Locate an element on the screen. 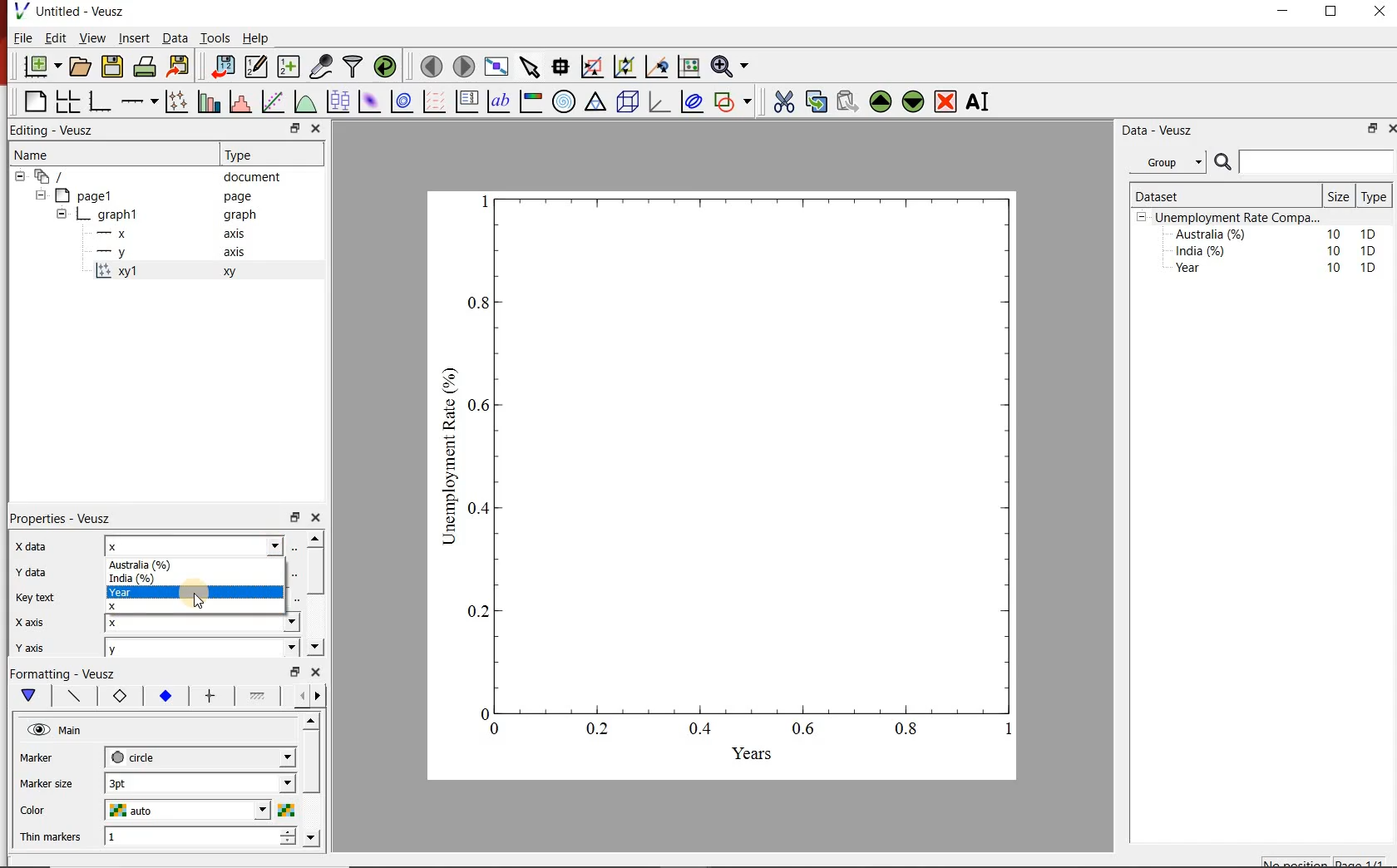 The width and height of the screenshot is (1397, 868). hide/unhide is located at coordinates (38, 729).